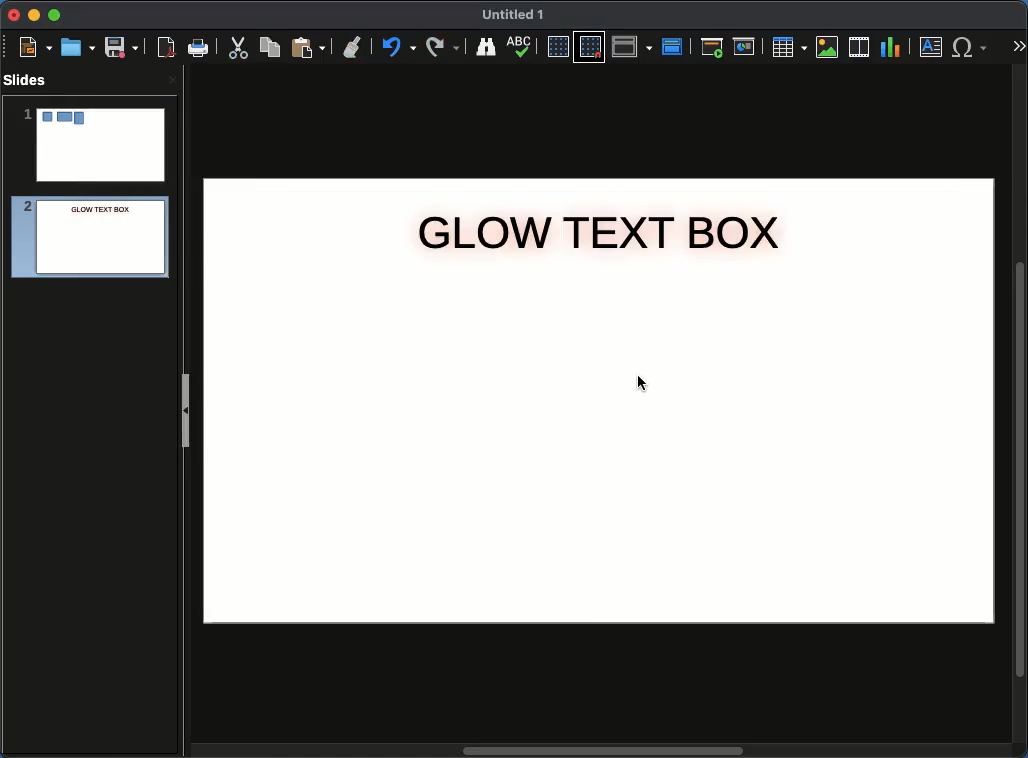 This screenshot has height=758, width=1028. What do you see at coordinates (31, 80) in the screenshot?
I see `Slides` at bounding box center [31, 80].